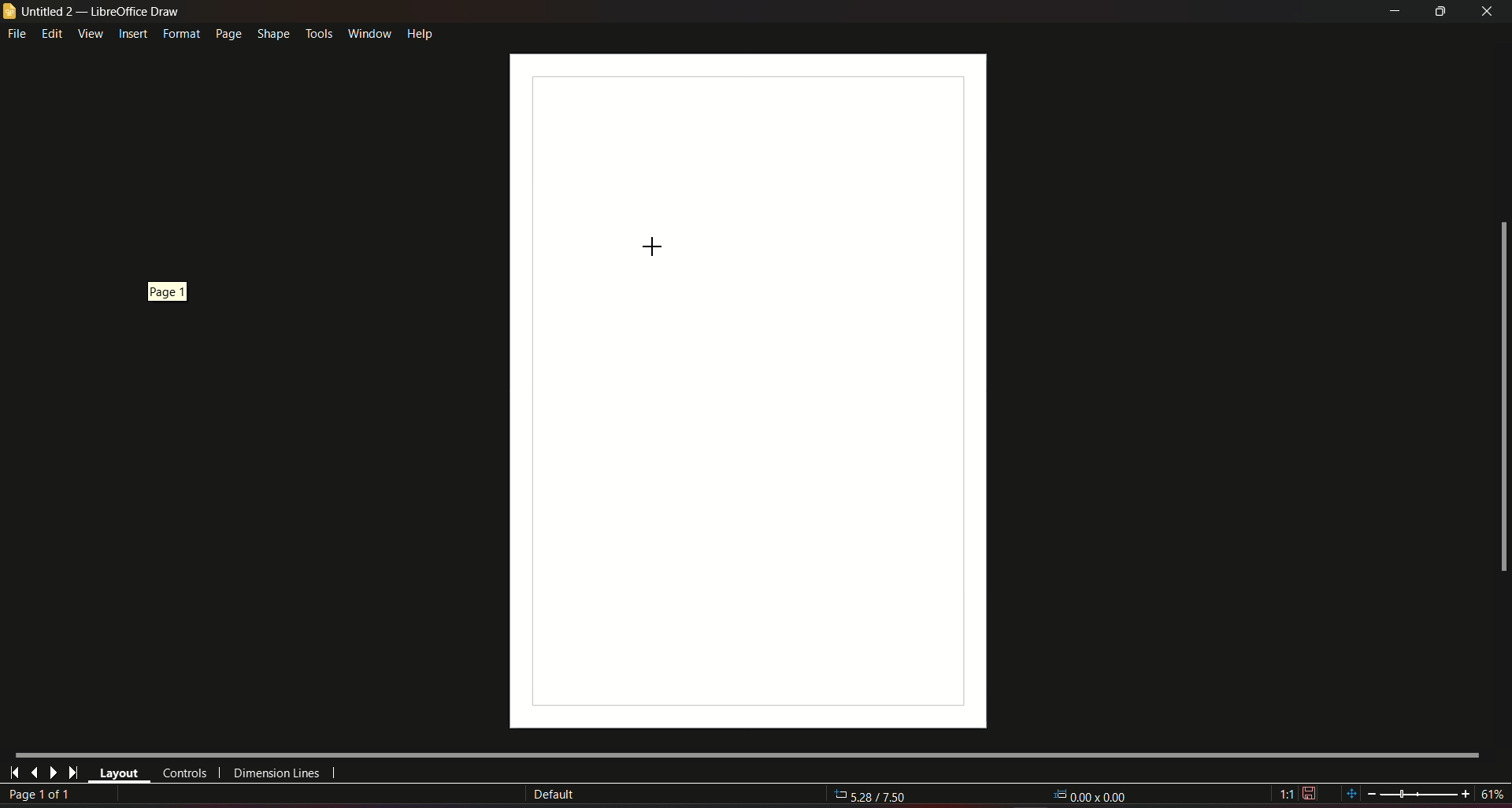 This screenshot has height=808, width=1512. I want to click on 0.00x0.00, so click(1091, 794).